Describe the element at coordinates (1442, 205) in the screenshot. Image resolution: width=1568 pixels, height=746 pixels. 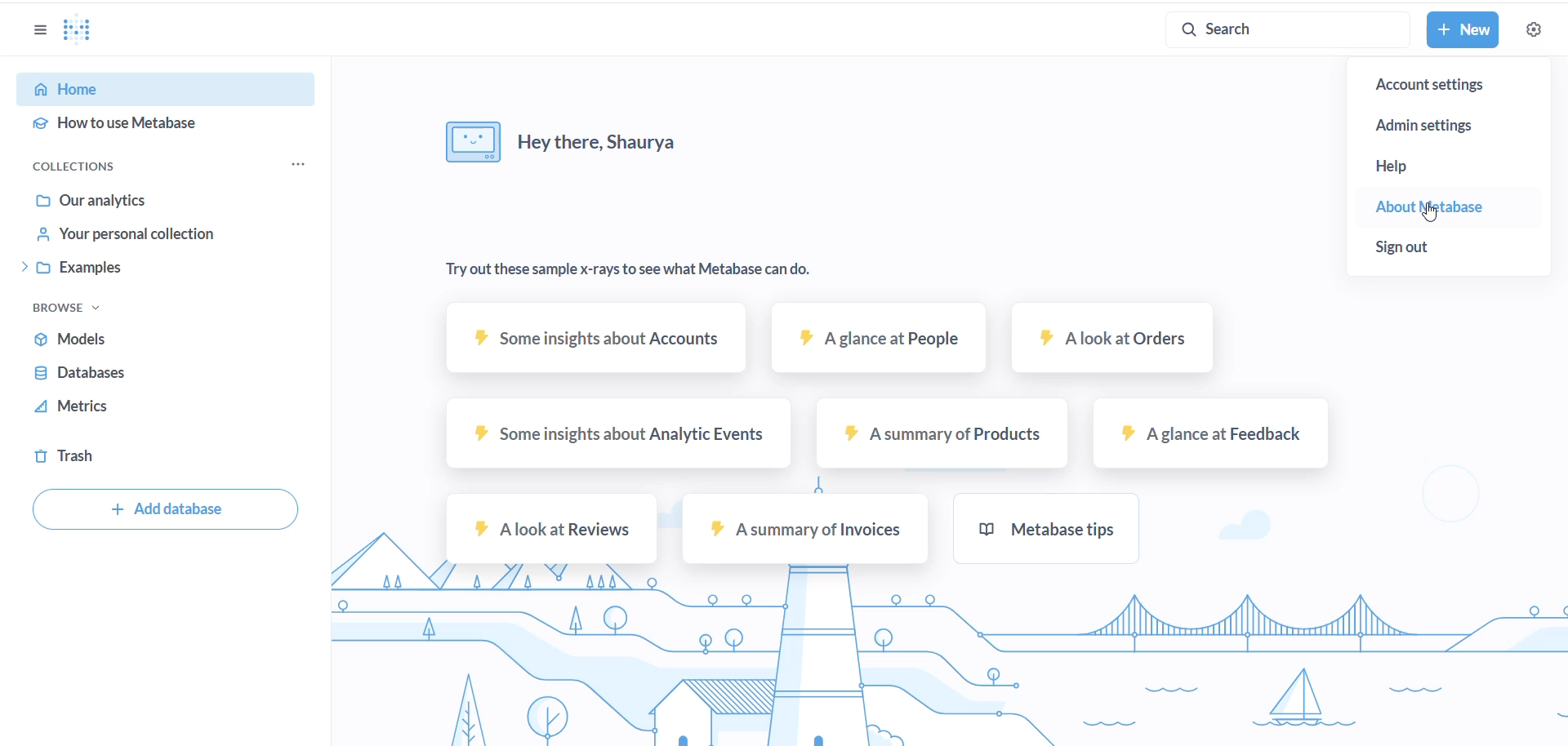
I see `about metabse` at that location.